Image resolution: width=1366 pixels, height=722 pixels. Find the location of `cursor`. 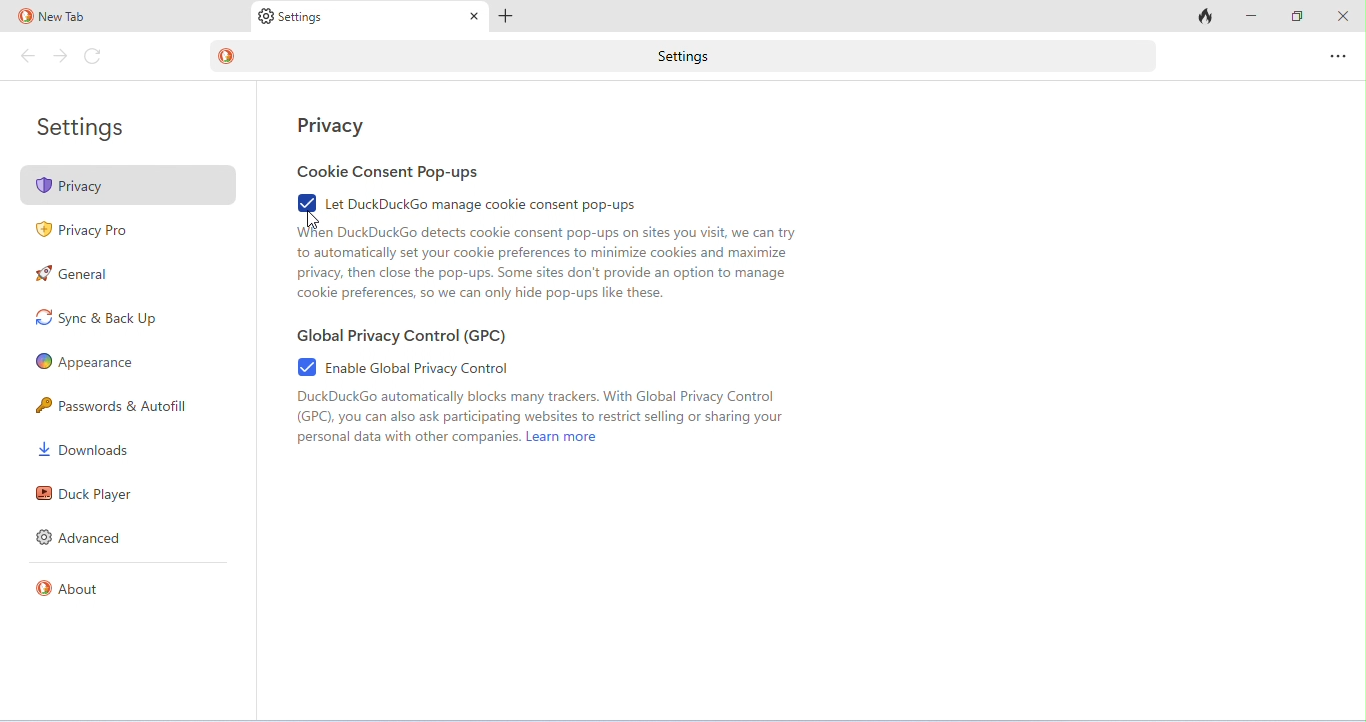

cursor is located at coordinates (312, 222).